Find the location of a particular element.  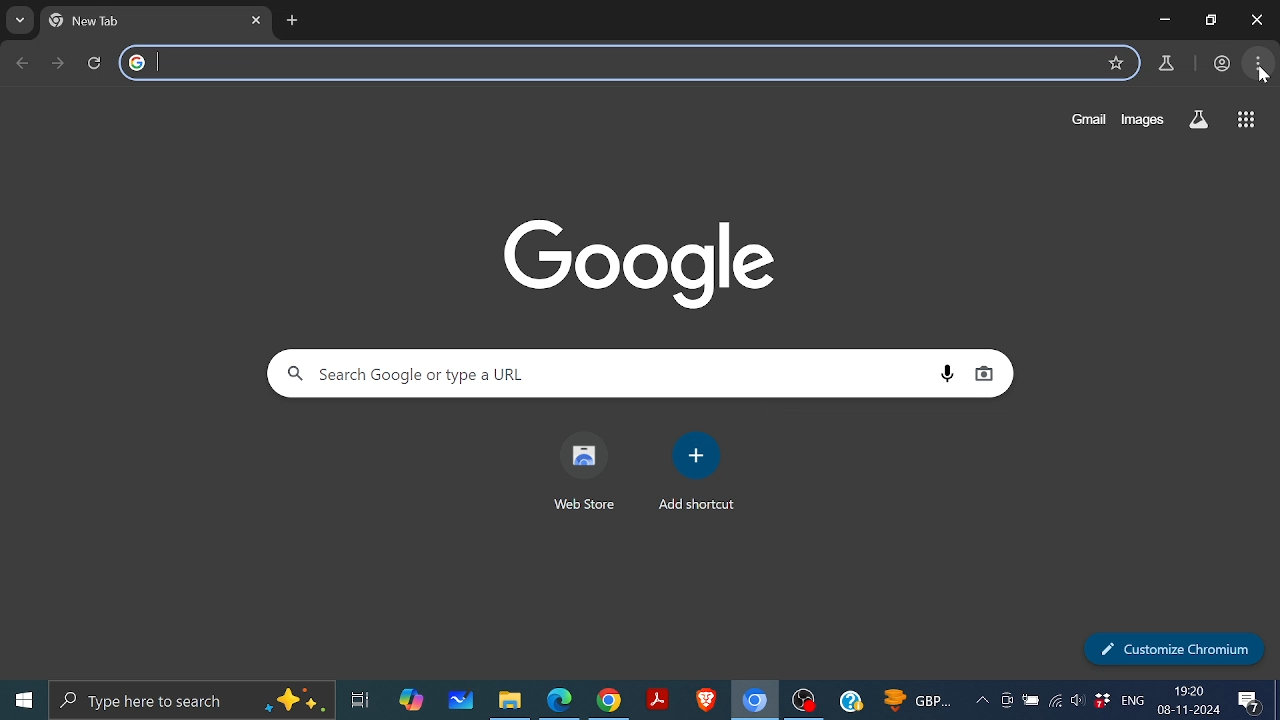

Chromium is located at coordinates (754, 699).